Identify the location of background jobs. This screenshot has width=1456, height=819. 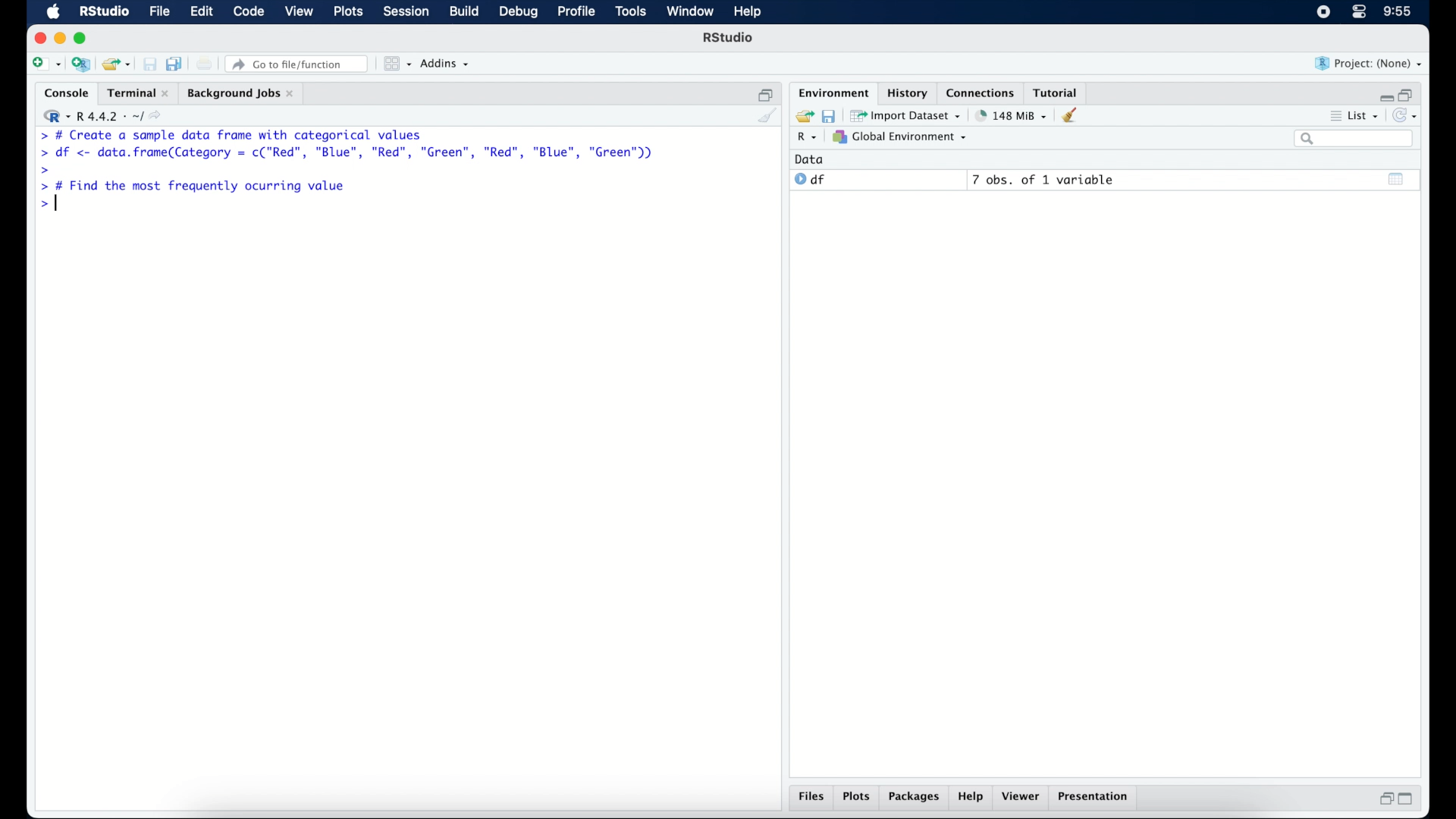
(243, 93).